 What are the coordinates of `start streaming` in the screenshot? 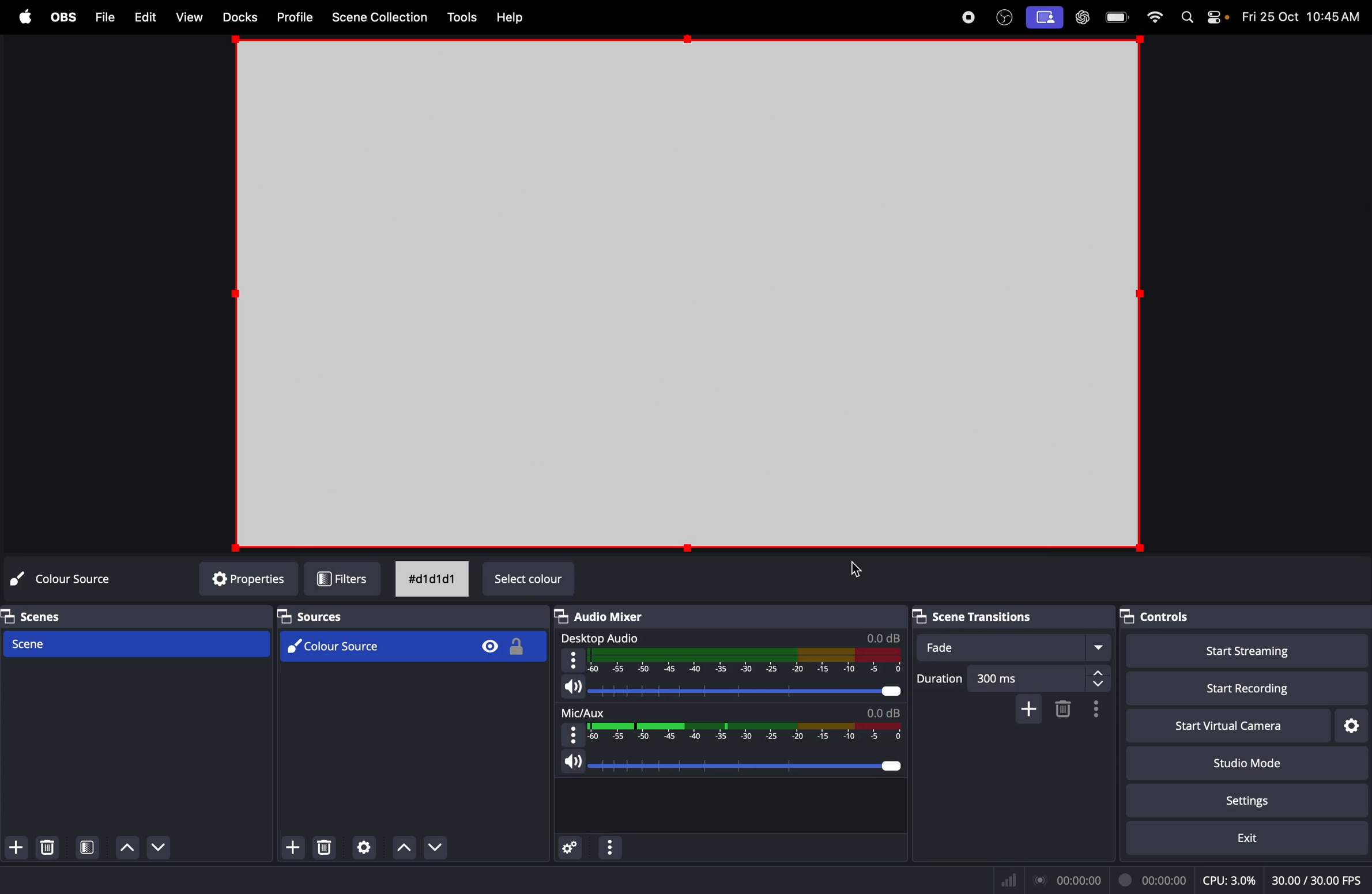 It's located at (1241, 652).